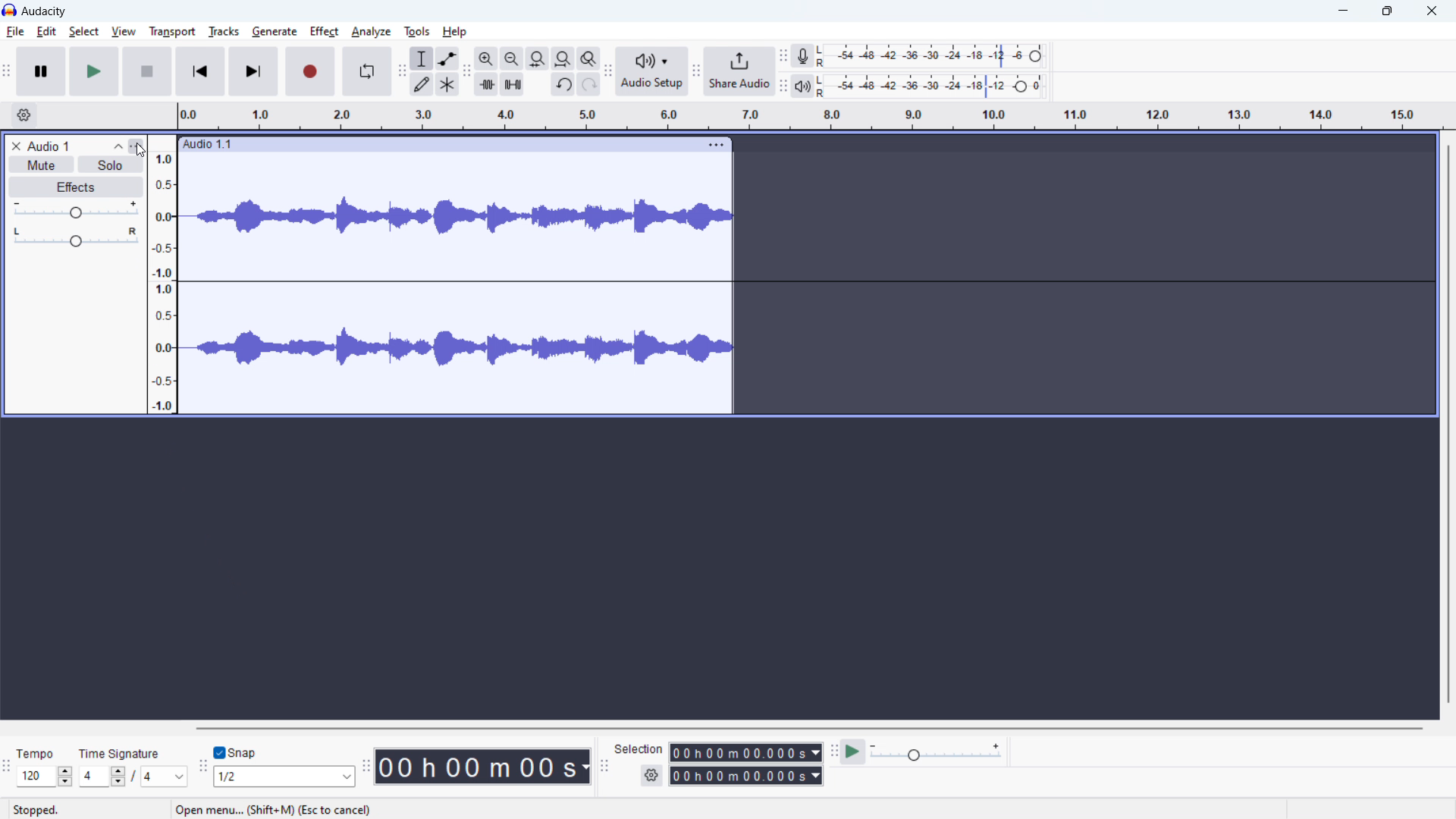  Describe the element at coordinates (454, 32) in the screenshot. I see `help` at that location.